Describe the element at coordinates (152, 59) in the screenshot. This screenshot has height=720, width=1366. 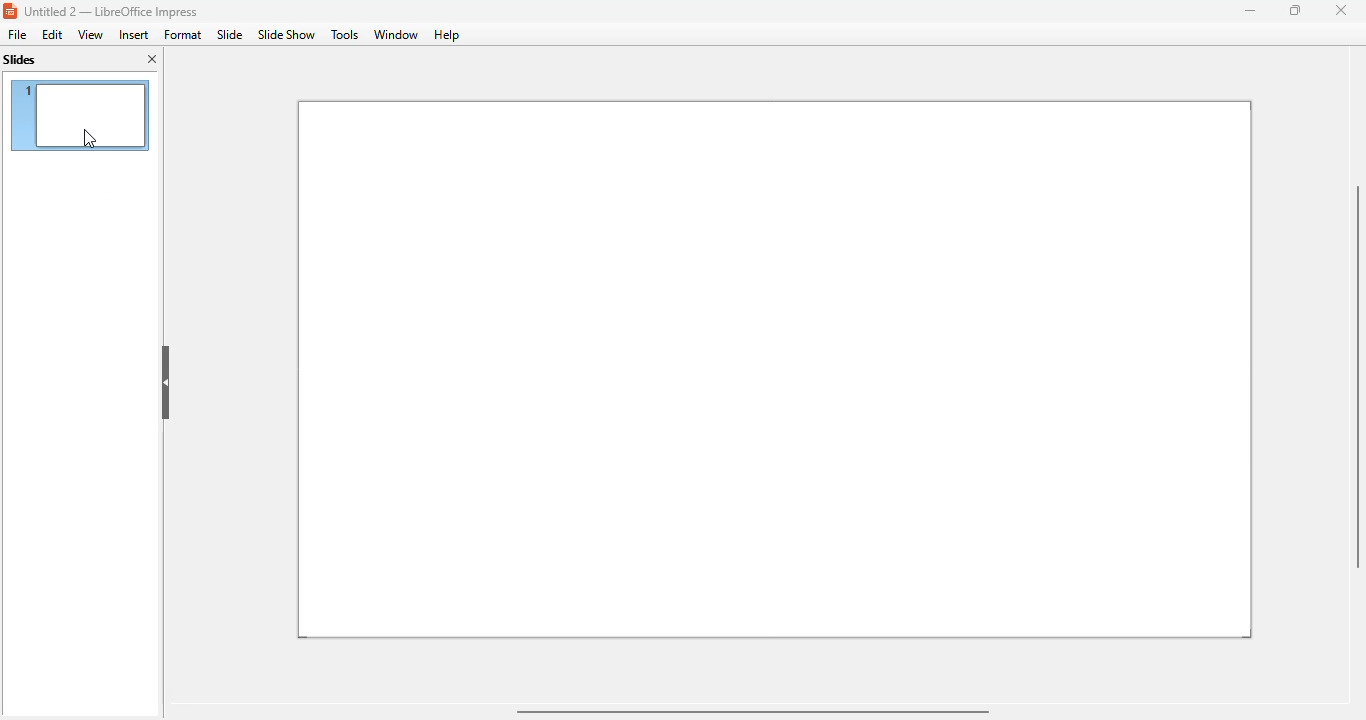
I see `close pane` at that location.